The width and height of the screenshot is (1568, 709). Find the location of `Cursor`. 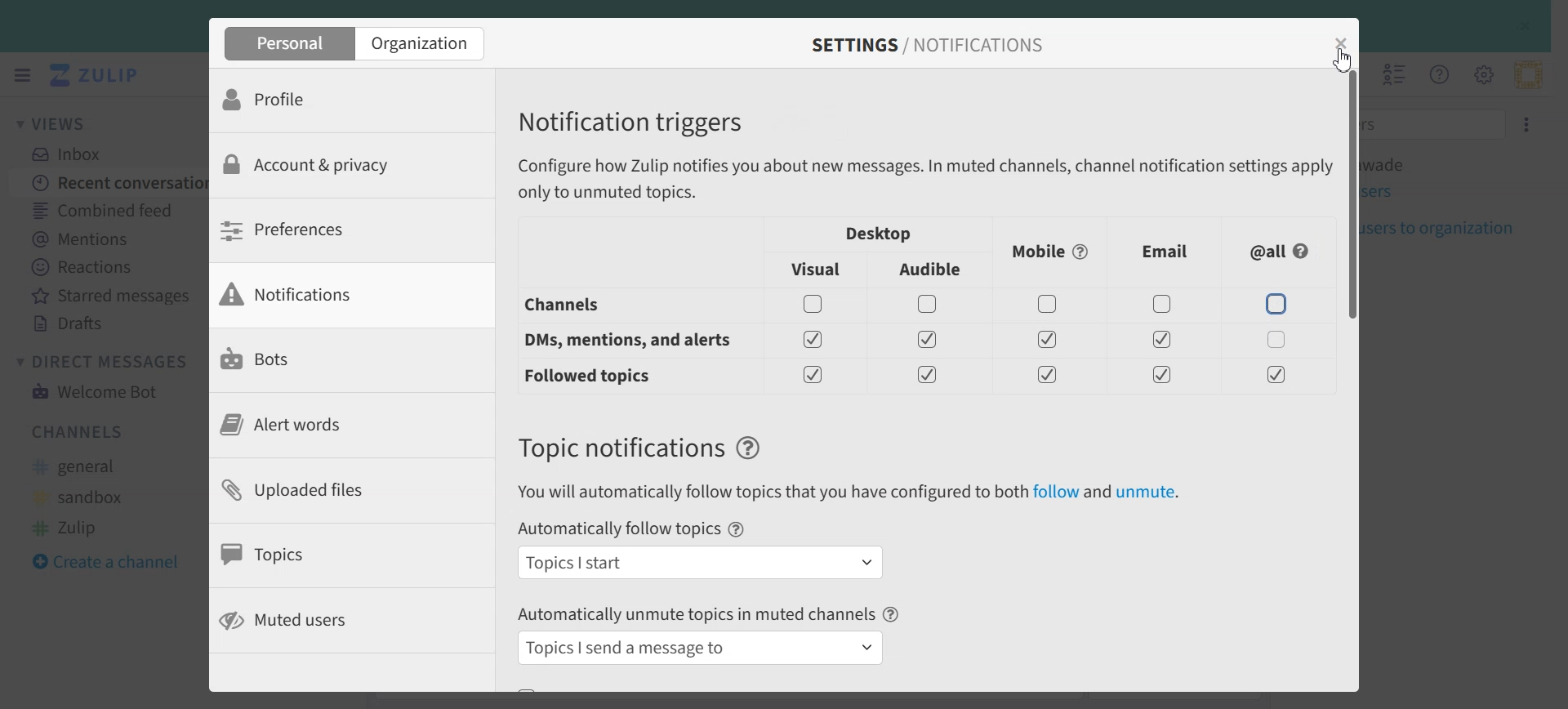

Cursor is located at coordinates (1340, 61).